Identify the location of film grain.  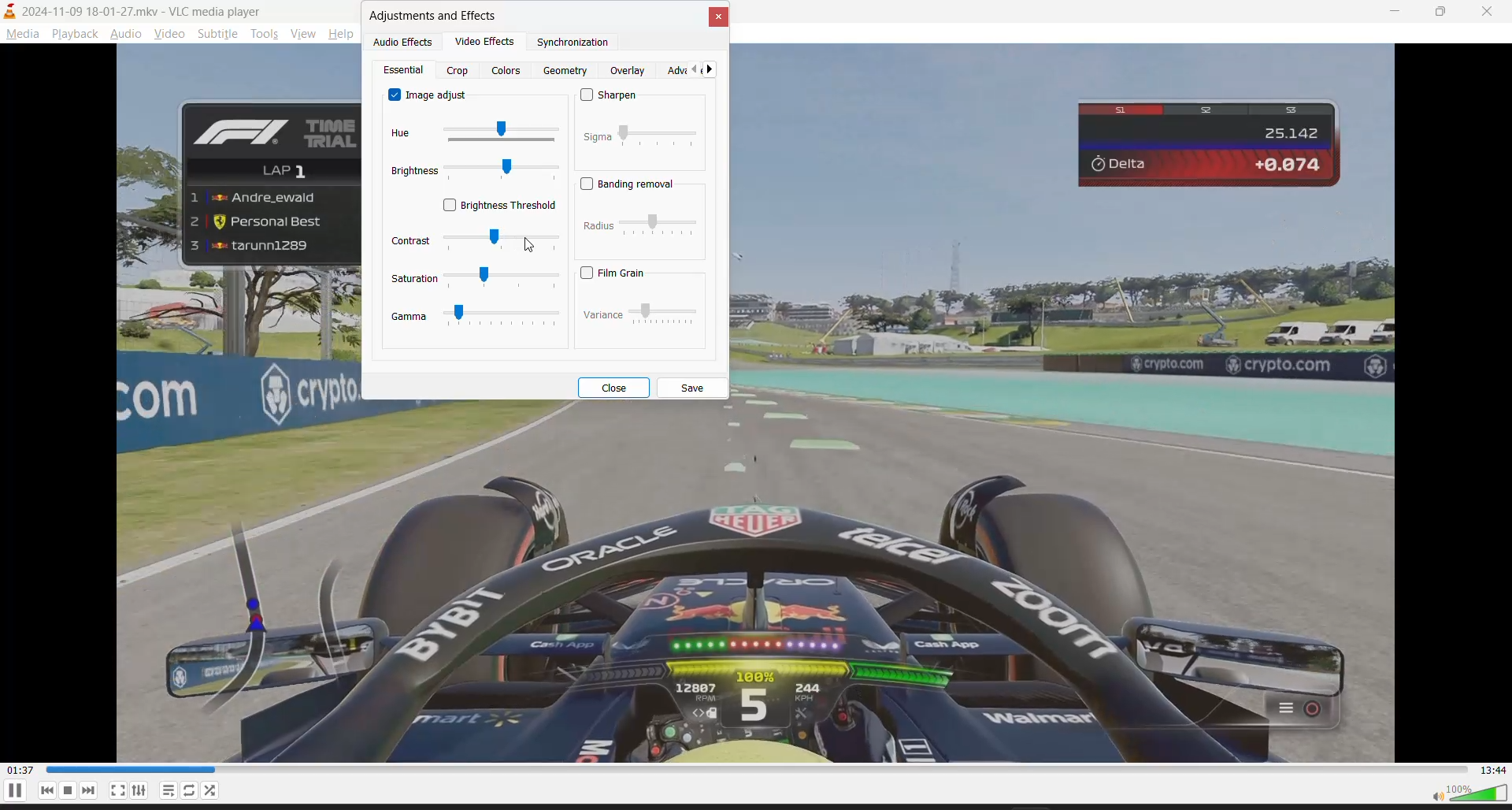
(621, 273).